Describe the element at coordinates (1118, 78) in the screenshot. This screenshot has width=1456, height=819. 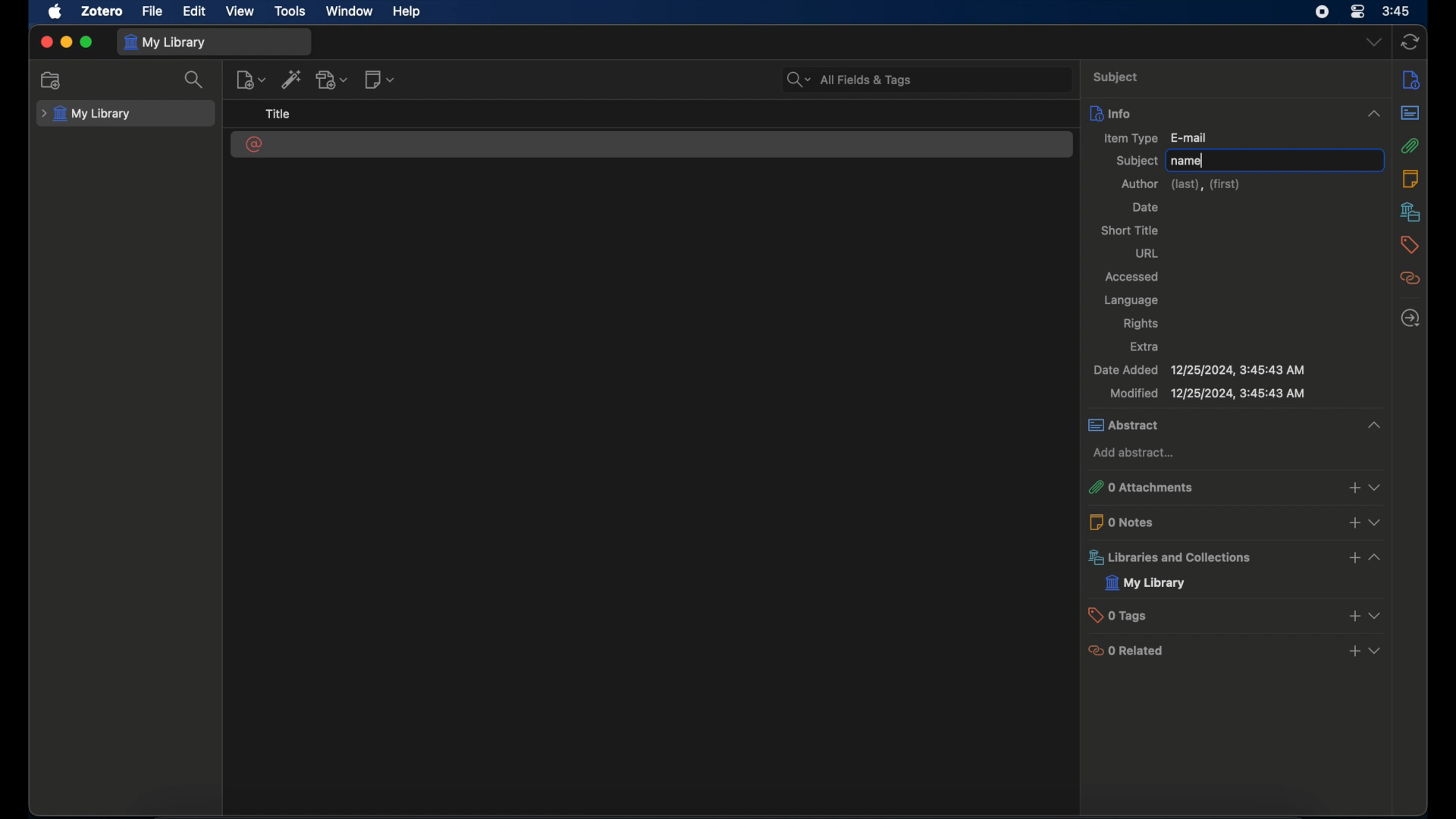
I see `subject` at that location.